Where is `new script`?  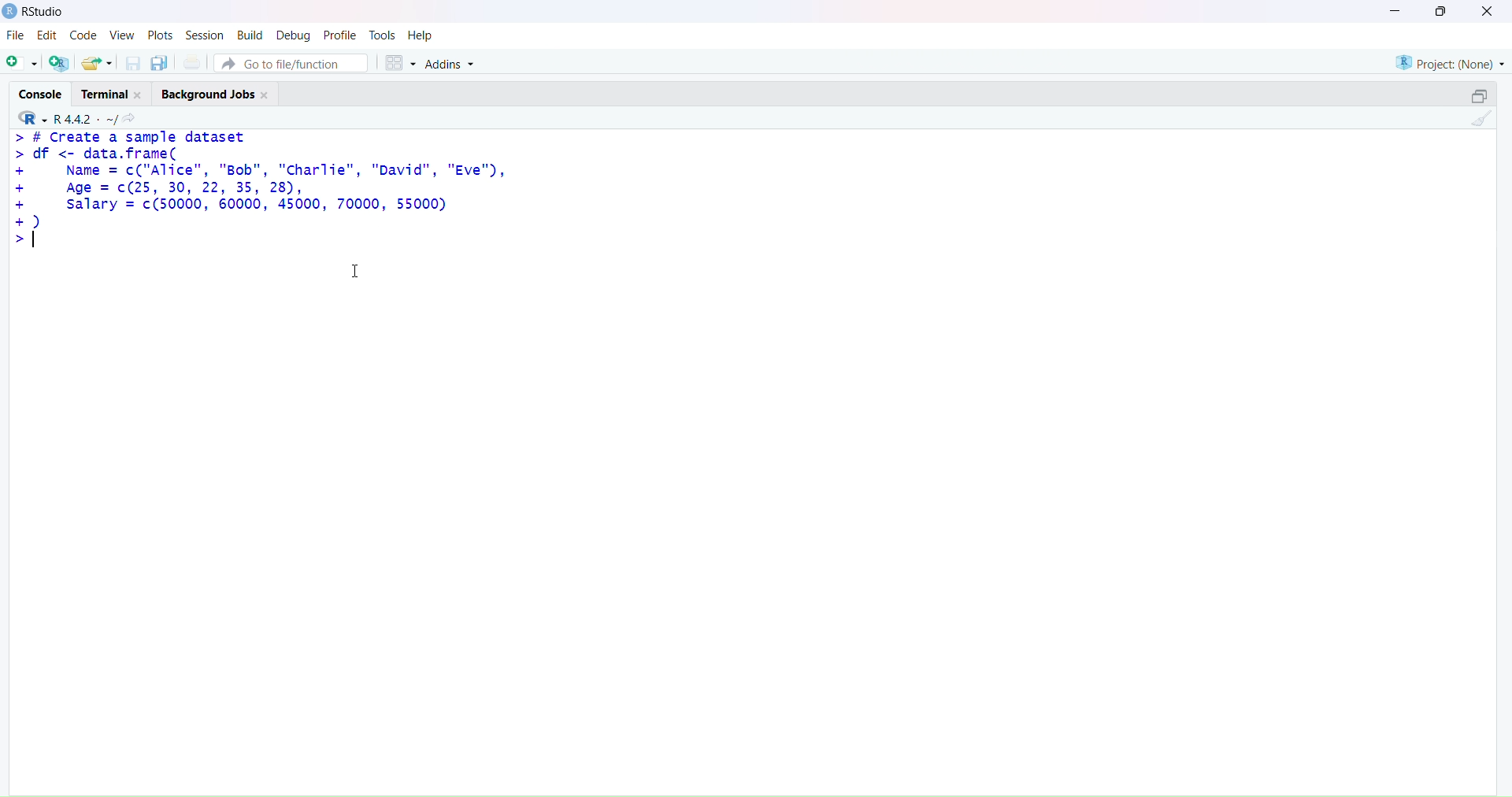 new script is located at coordinates (21, 63).